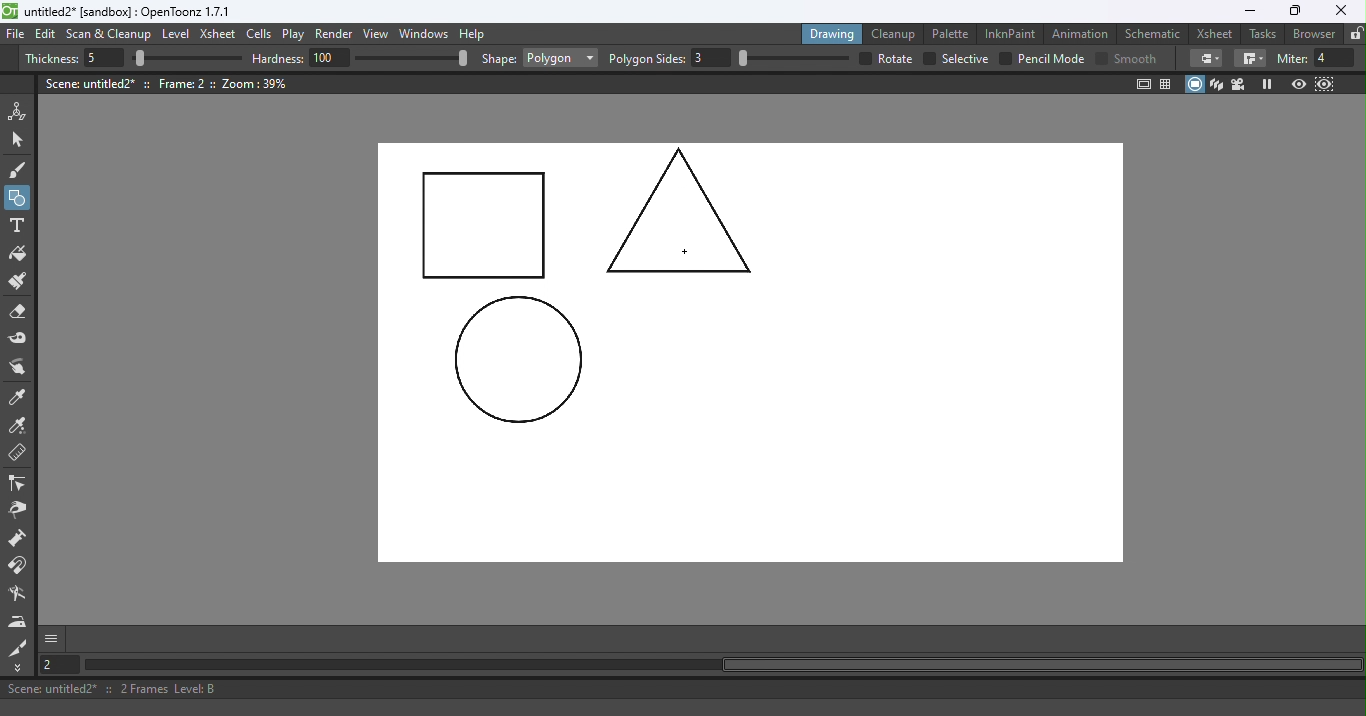  Describe the element at coordinates (330, 57) in the screenshot. I see `100` at that location.